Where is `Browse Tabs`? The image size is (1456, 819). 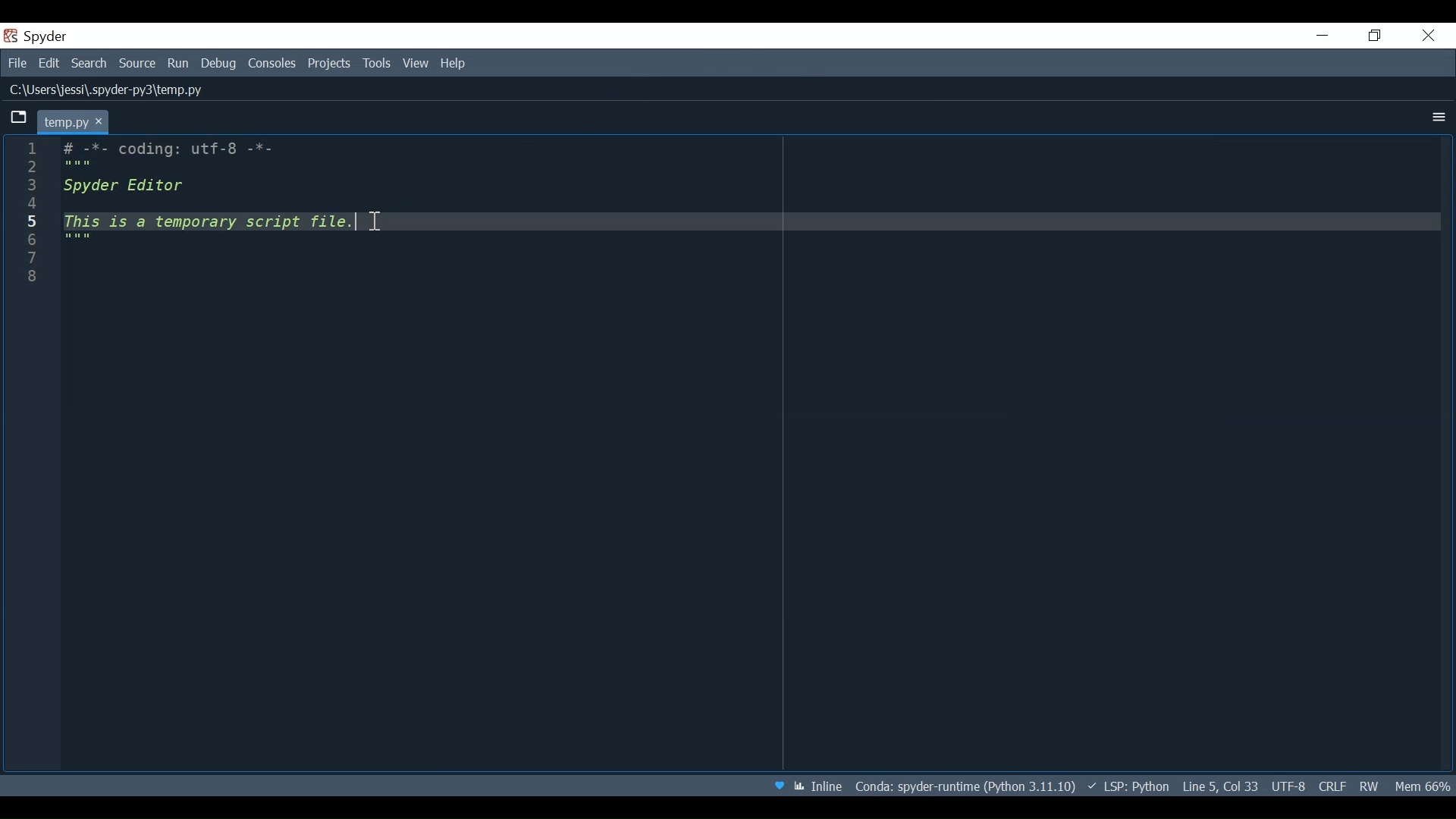
Browse Tabs is located at coordinates (17, 120).